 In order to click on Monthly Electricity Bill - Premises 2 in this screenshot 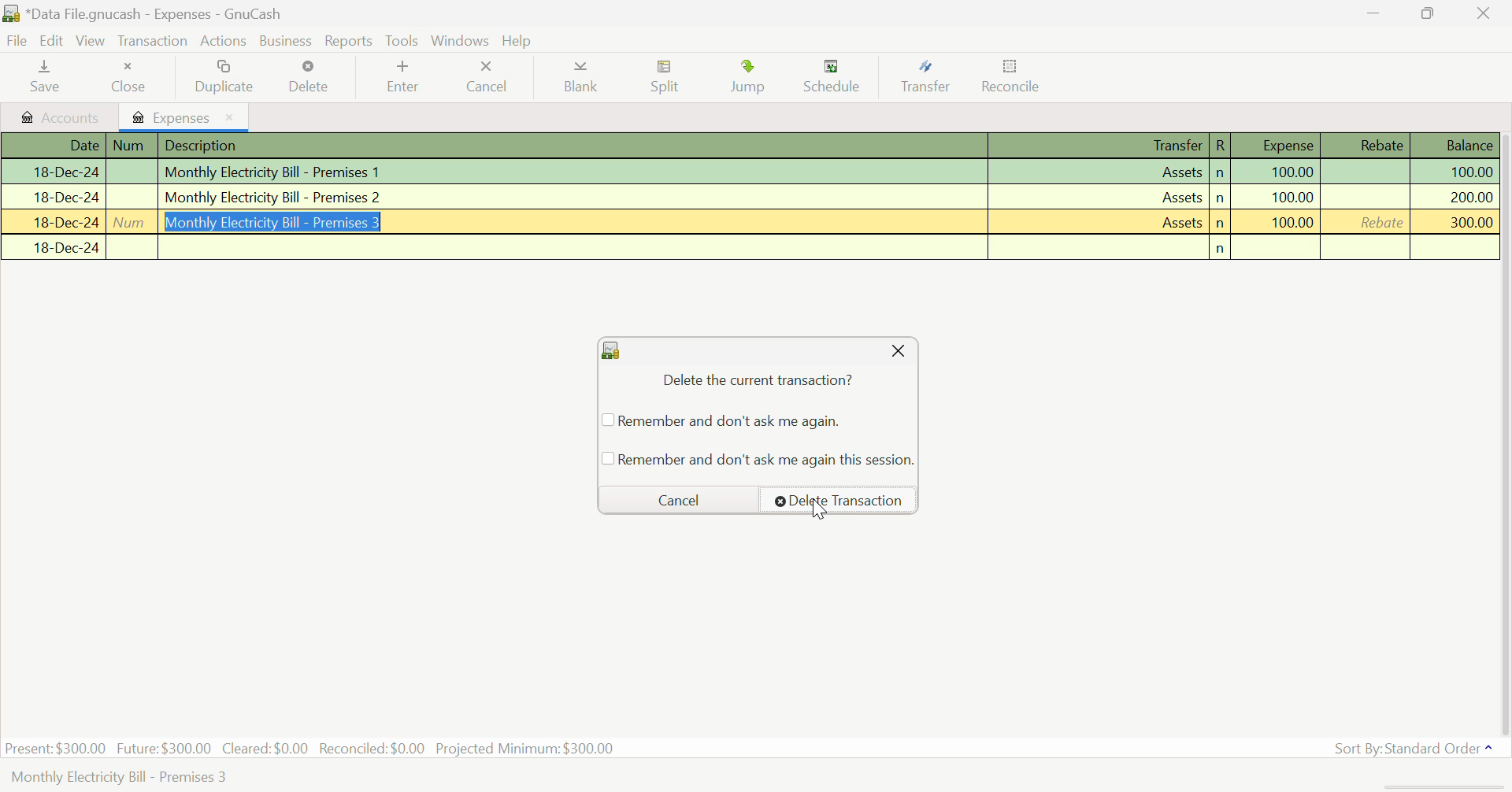, I will do `click(747, 196)`.